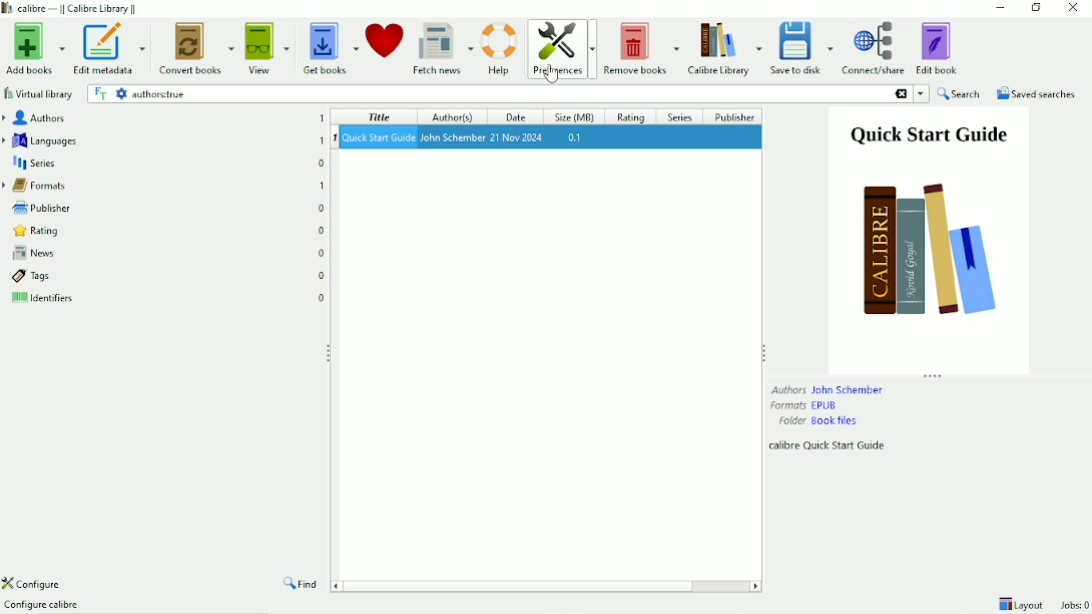 This screenshot has width=1092, height=614. I want to click on Rating, so click(630, 116).